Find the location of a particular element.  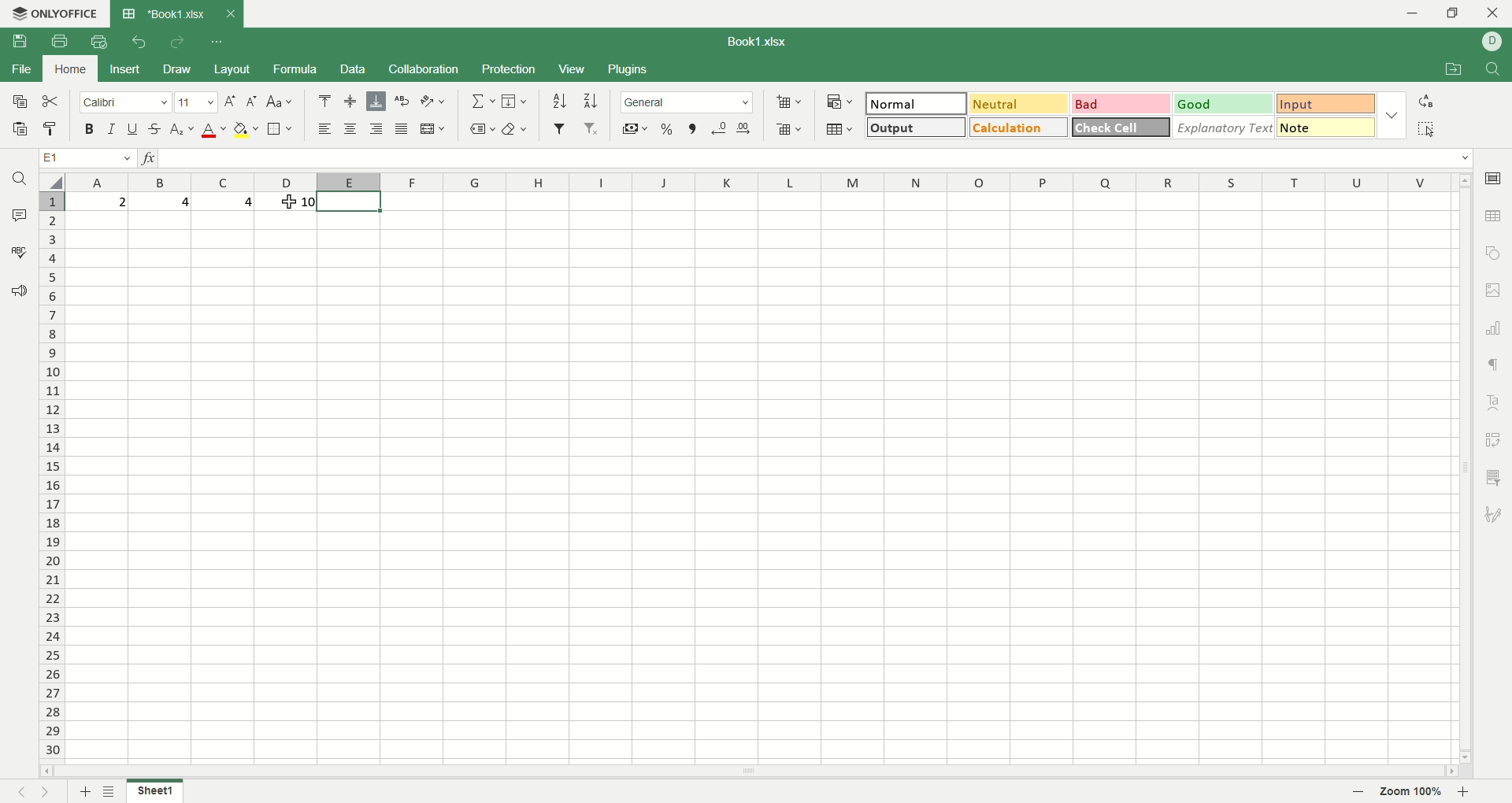

formula bar is located at coordinates (818, 157).